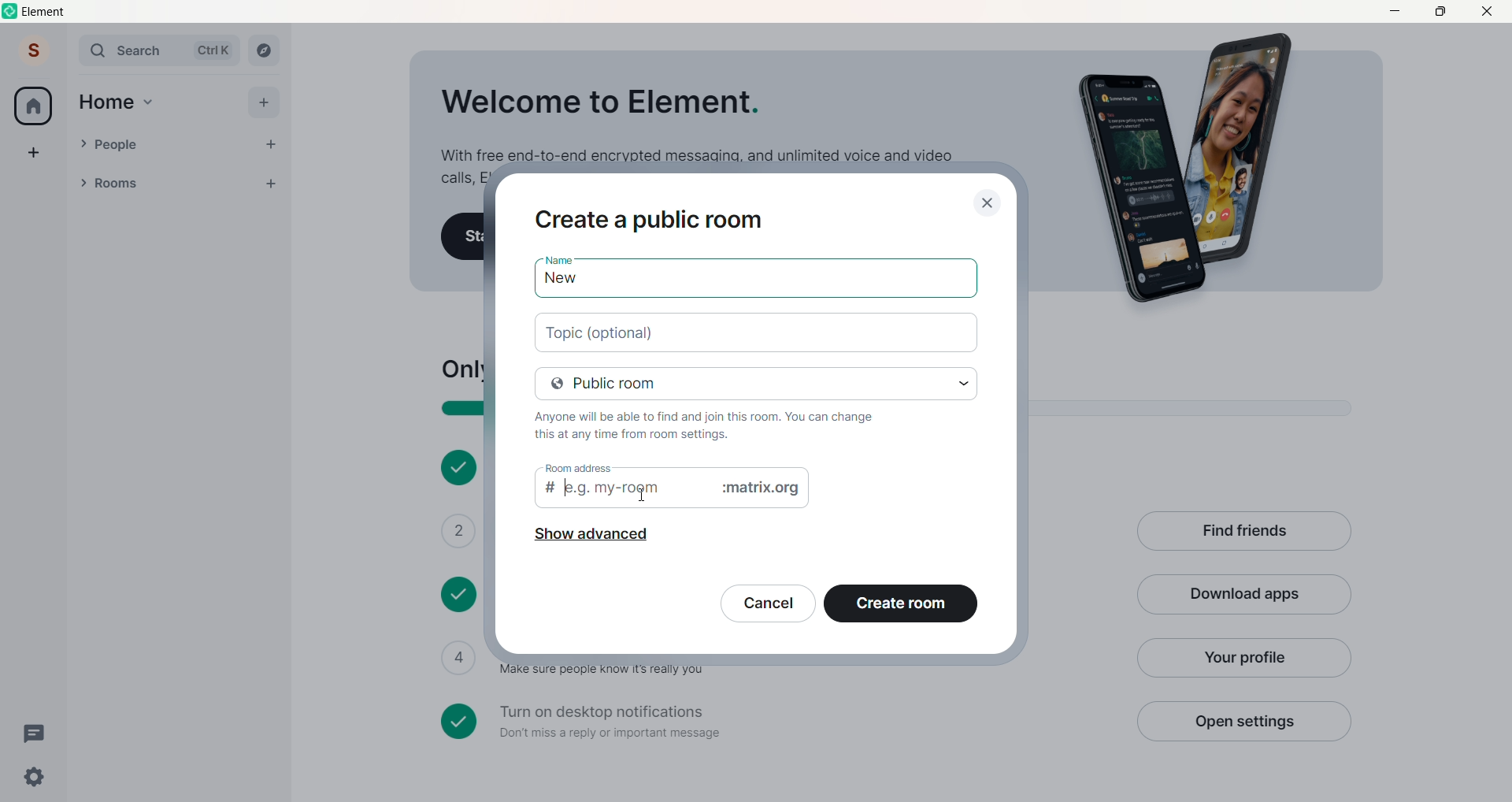 Image resolution: width=1512 pixels, height=802 pixels. What do you see at coordinates (644, 494) in the screenshot?
I see `cursor` at bounding box center [644, 494].